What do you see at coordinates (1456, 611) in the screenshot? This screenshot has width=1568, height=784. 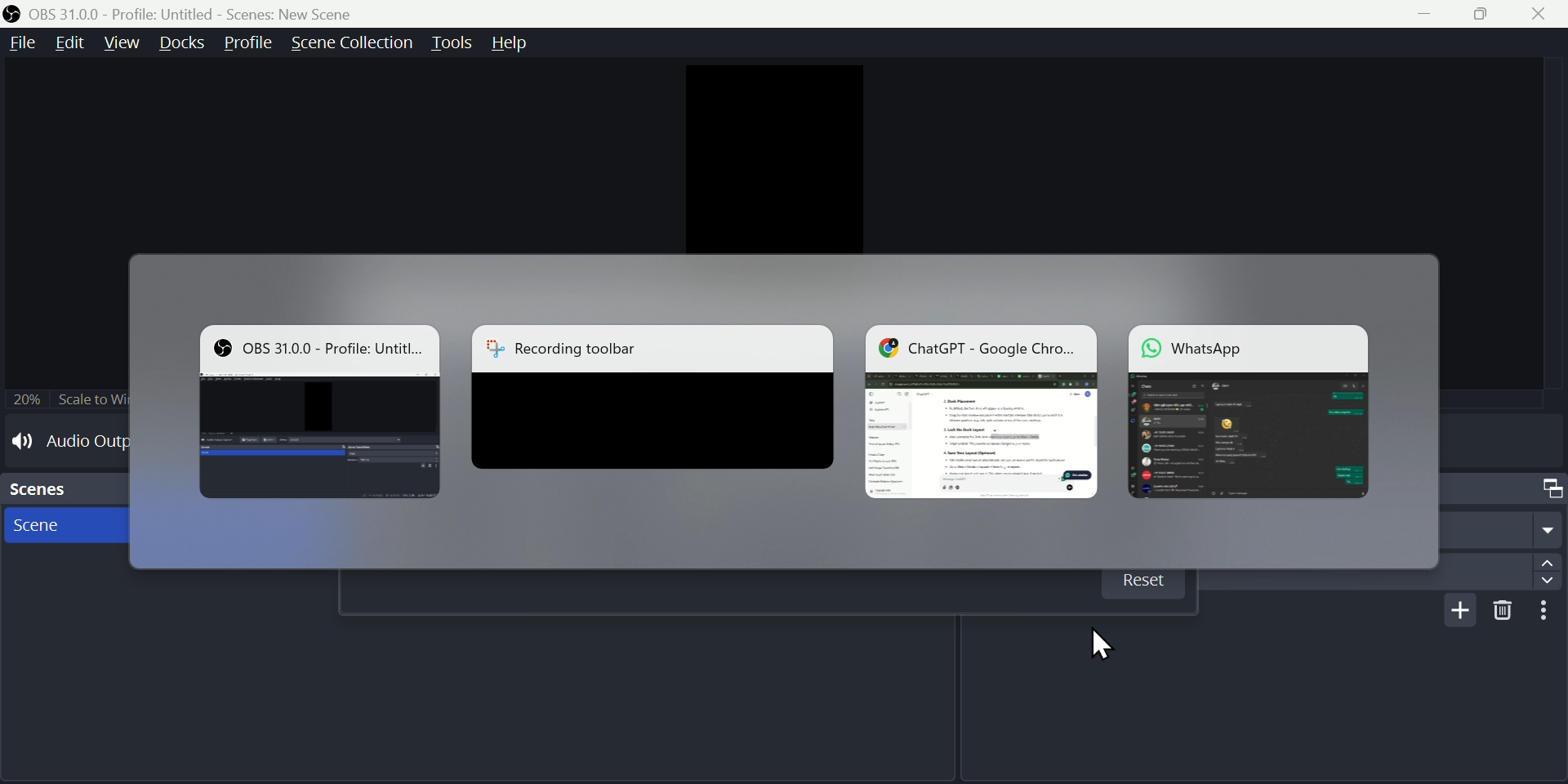 I see `add` at bounding box center [1456, 611].